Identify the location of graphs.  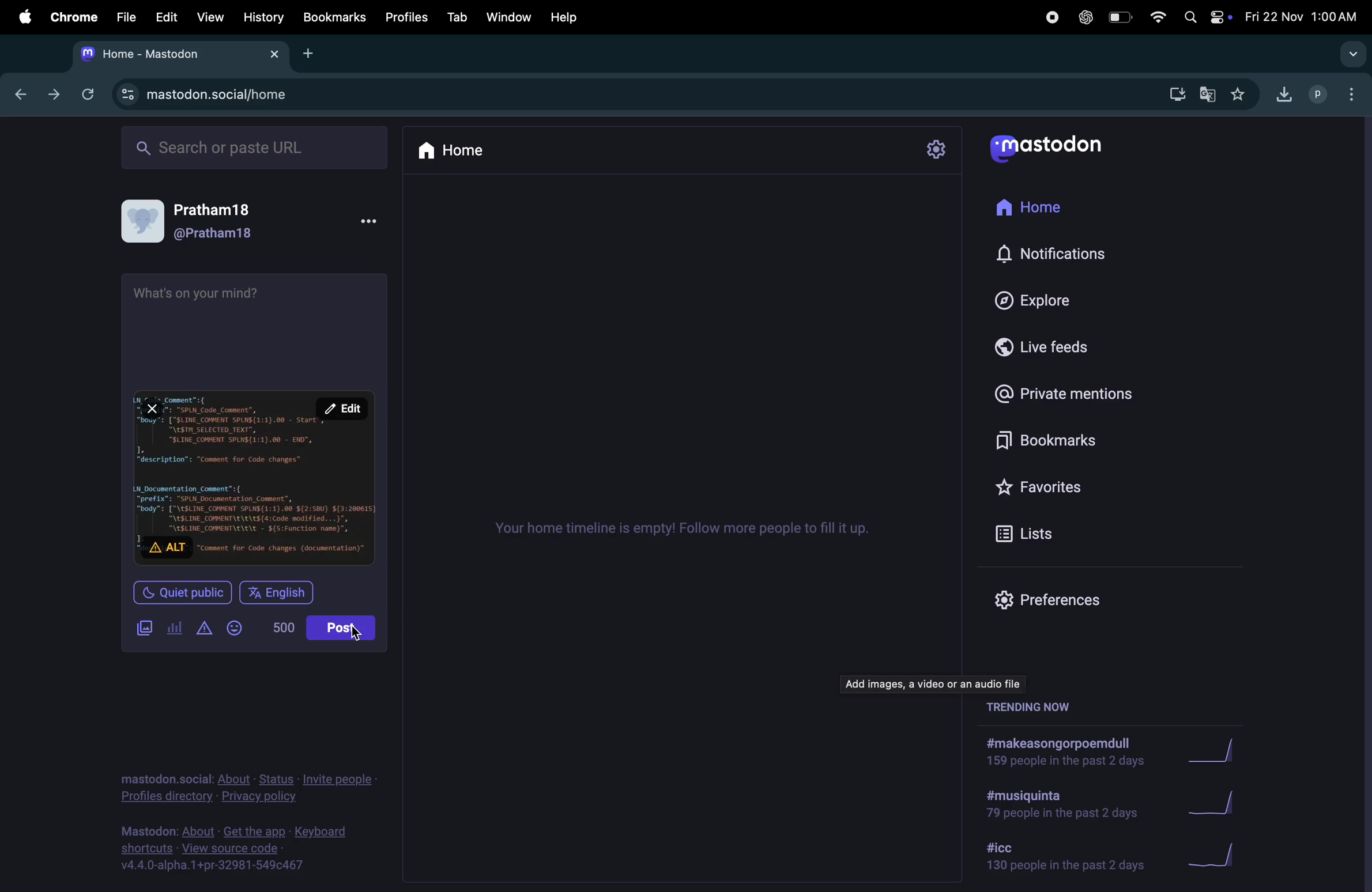
(1223, 803).